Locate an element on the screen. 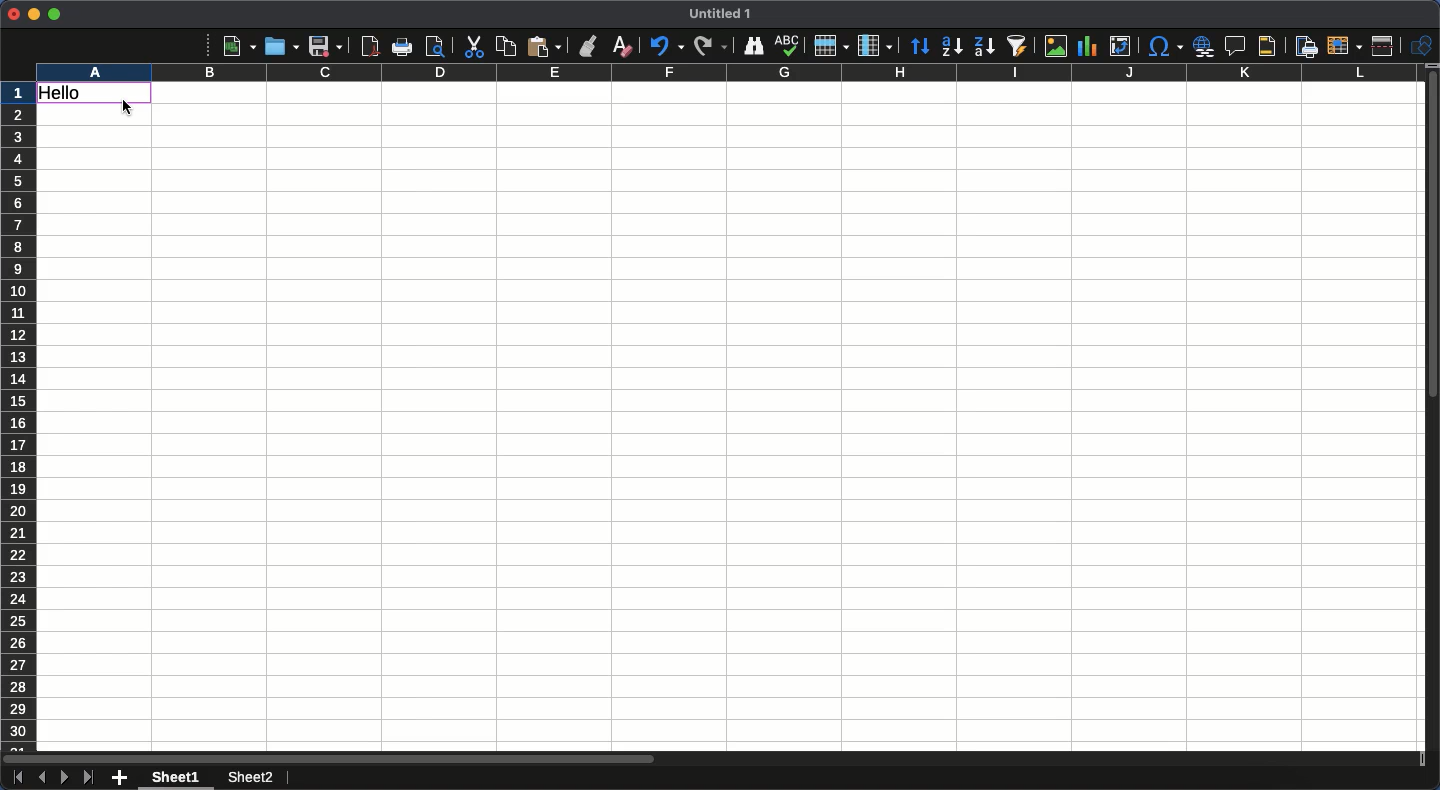 This screenshot has width=1440, height=790. Maximize is located at coordinates (54, 14).